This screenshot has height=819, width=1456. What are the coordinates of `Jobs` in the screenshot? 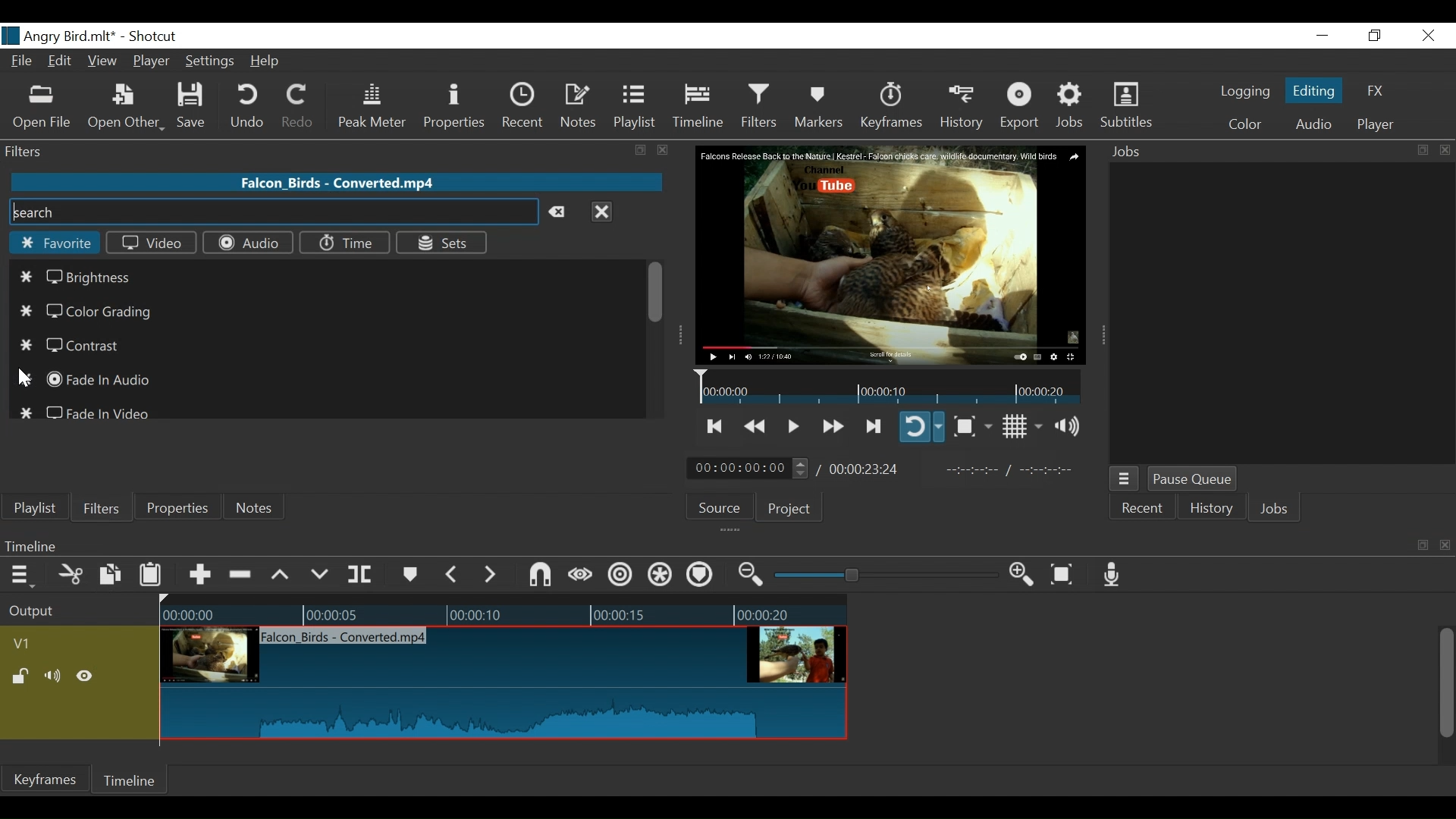 It's located at (1275, 510).